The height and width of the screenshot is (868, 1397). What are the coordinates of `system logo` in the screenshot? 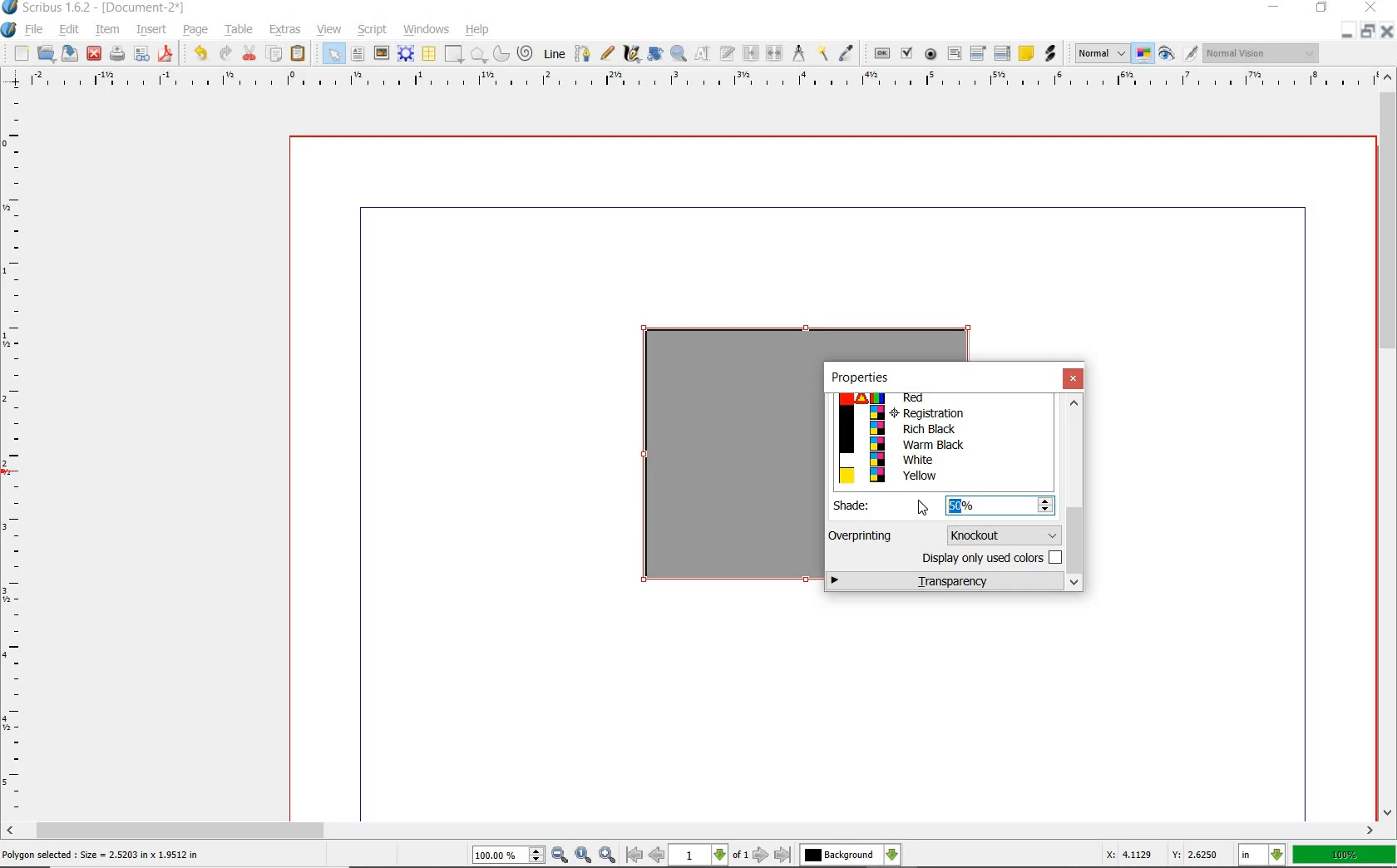 It's located at (10, 31).